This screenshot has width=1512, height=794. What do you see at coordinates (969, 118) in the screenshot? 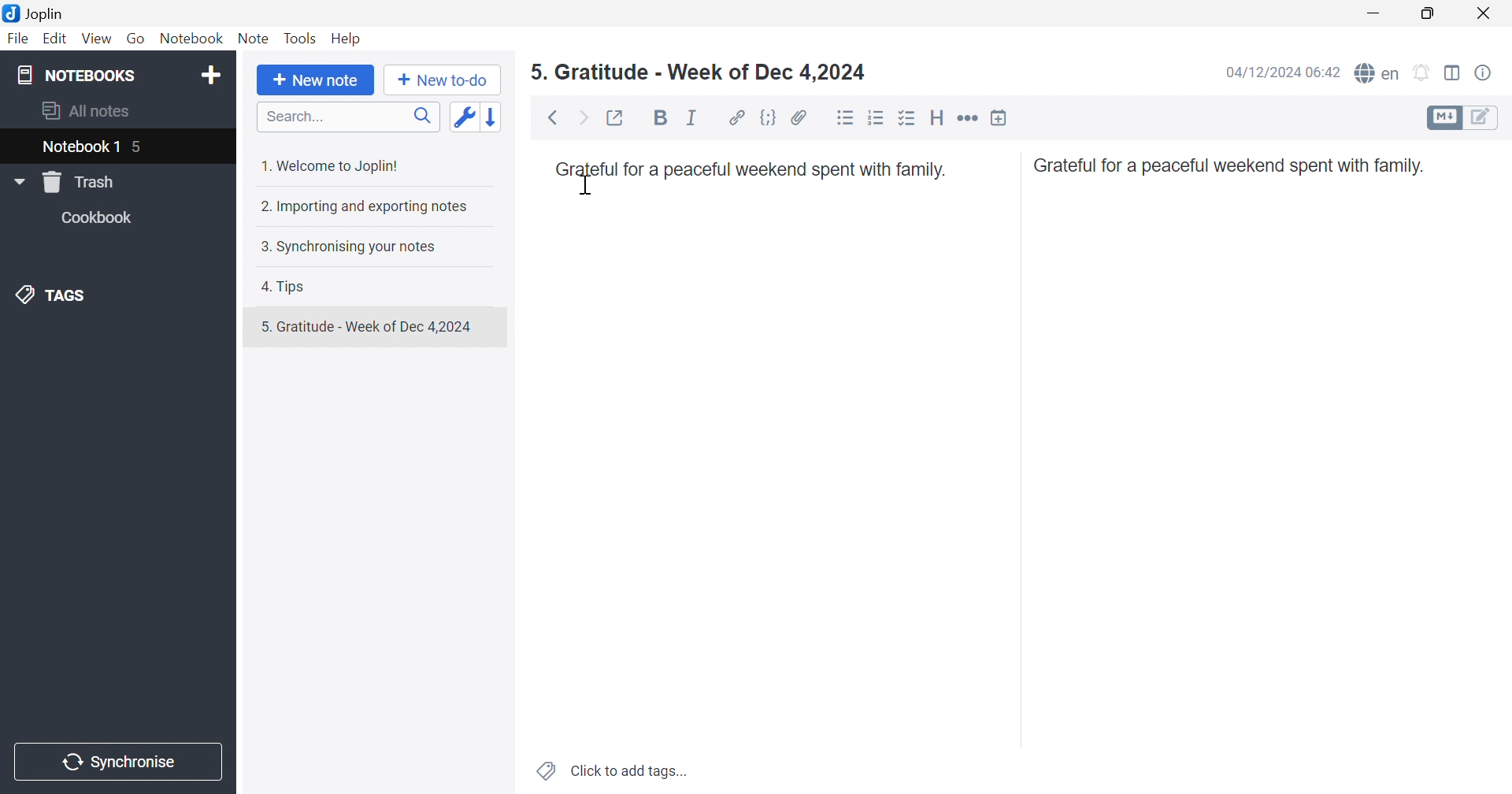
I see `Horizontal rule` at bounding box center [969, 118].